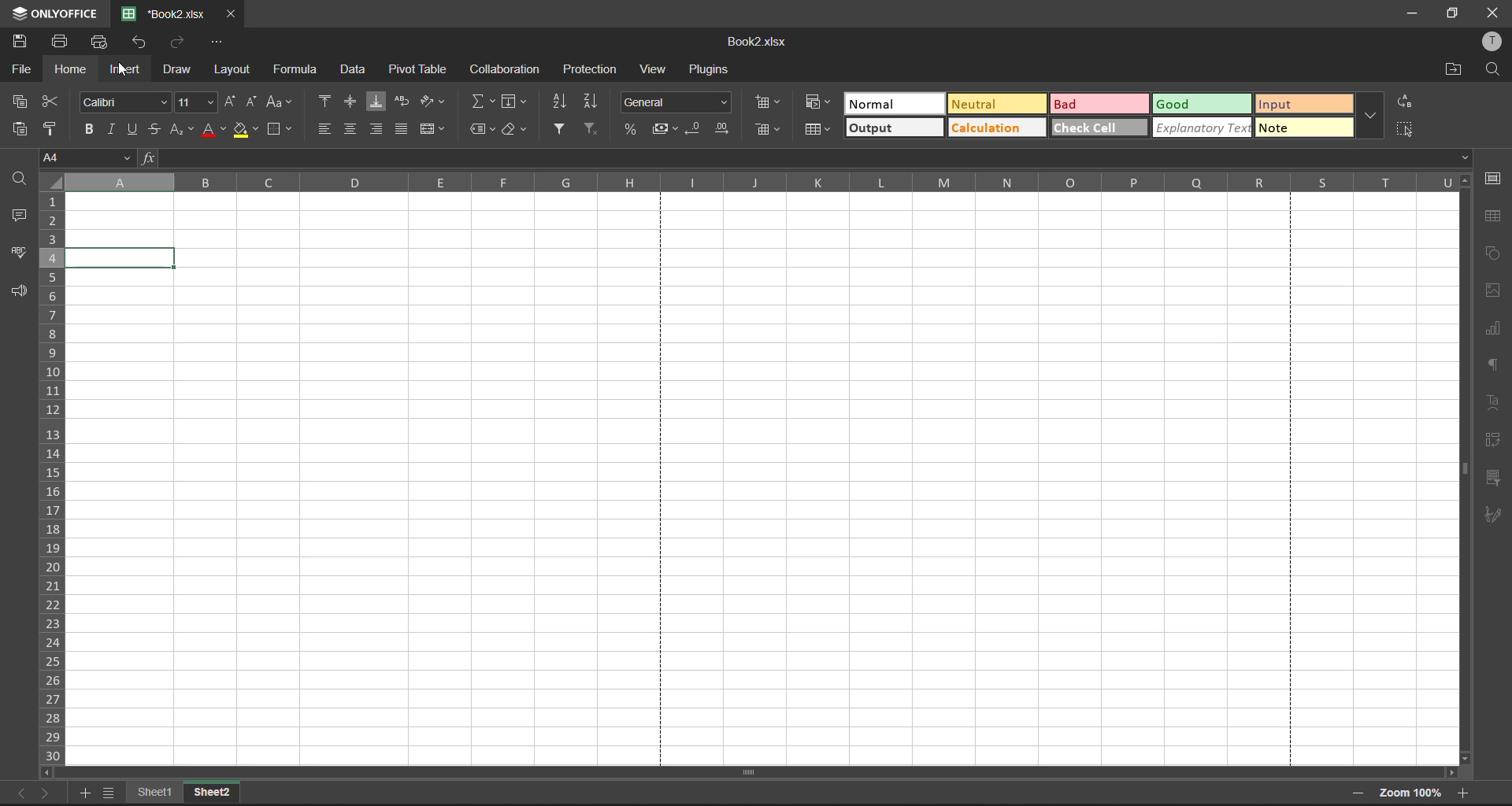  What do you see at coordinates (1493, 364) in the screenshot?
I see `paragraph` at bounding box center [1493, 364].